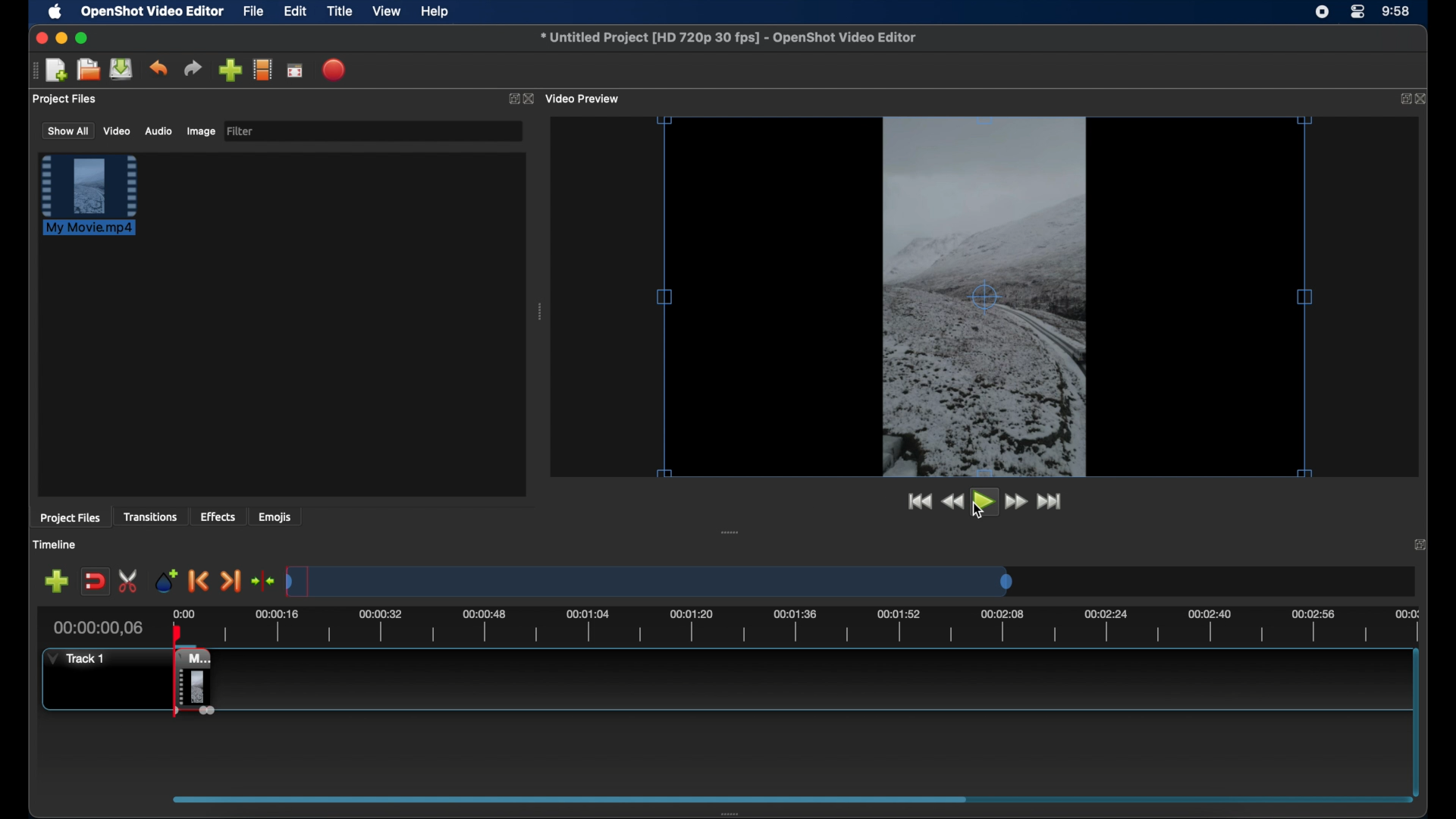 The width and height of the screenshot is (1456, 819). Describe the element at coordinates (254, 12) in the screenshot. I see `file` at that location.